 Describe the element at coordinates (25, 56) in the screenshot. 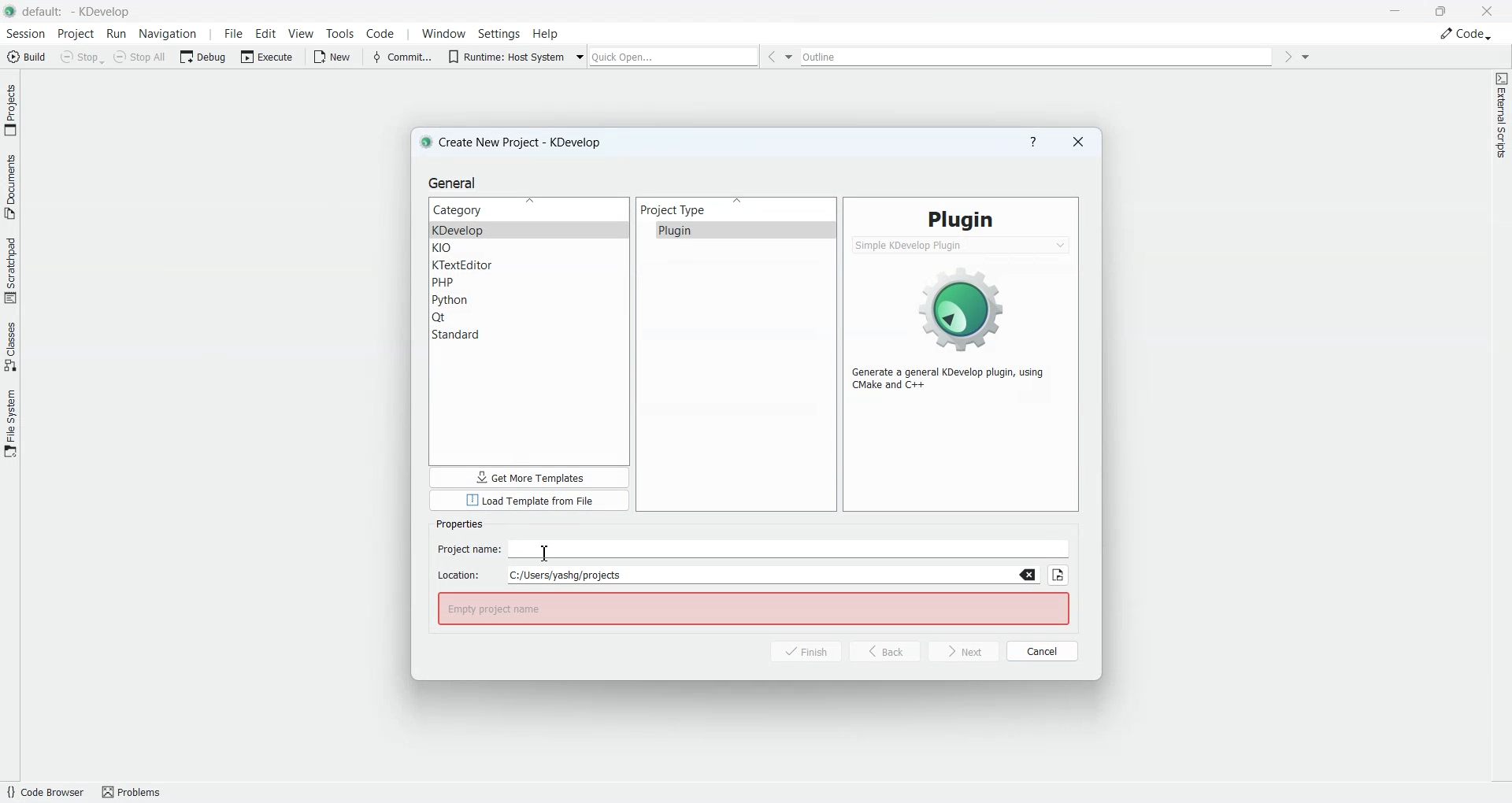

I see `Build` at that location.